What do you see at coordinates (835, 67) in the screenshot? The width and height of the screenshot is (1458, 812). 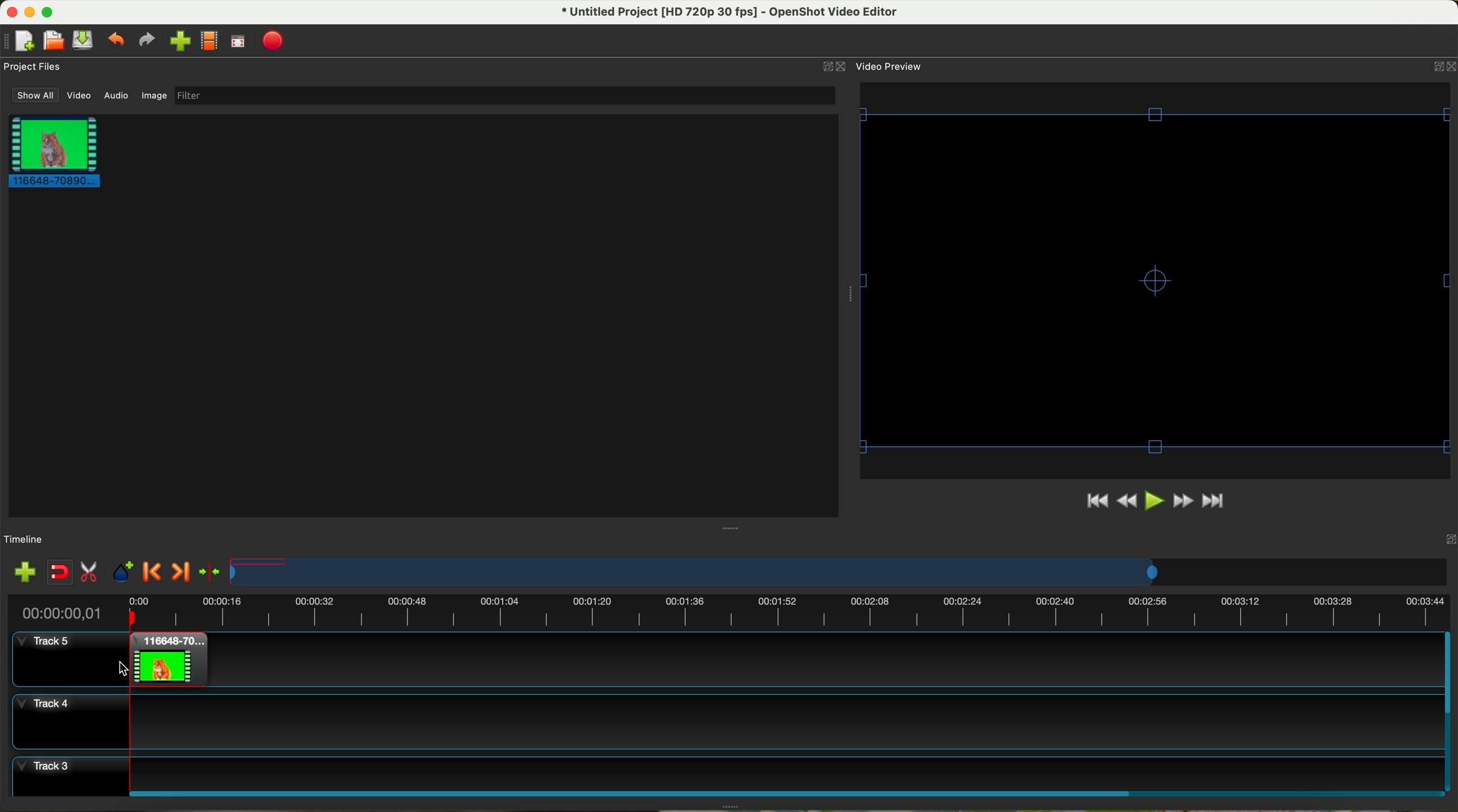 I see `close` at bounding box center [835, 67].